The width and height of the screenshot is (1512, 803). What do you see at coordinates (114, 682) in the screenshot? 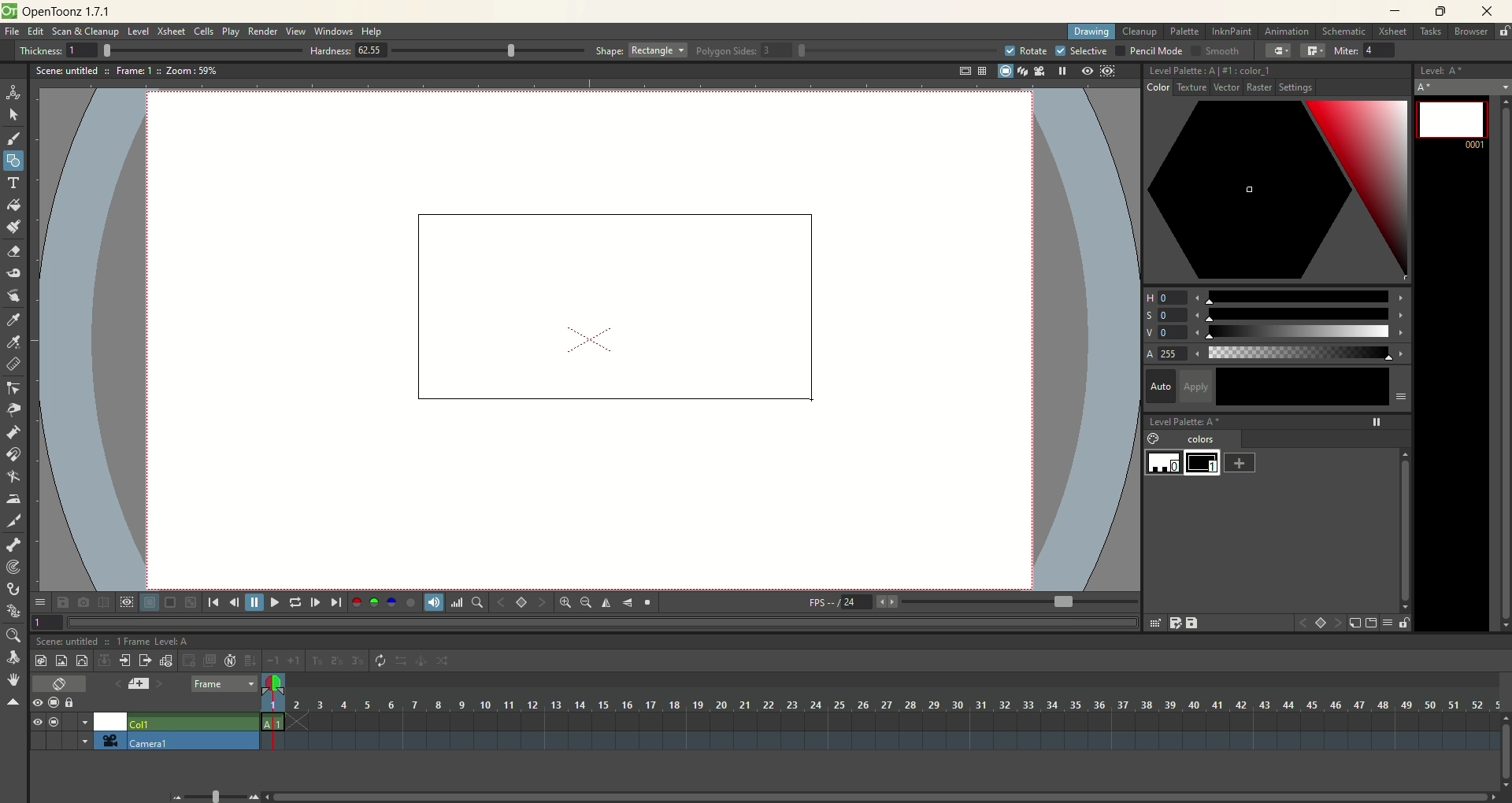
I see `previous memo` at bounding box center [114, 682].